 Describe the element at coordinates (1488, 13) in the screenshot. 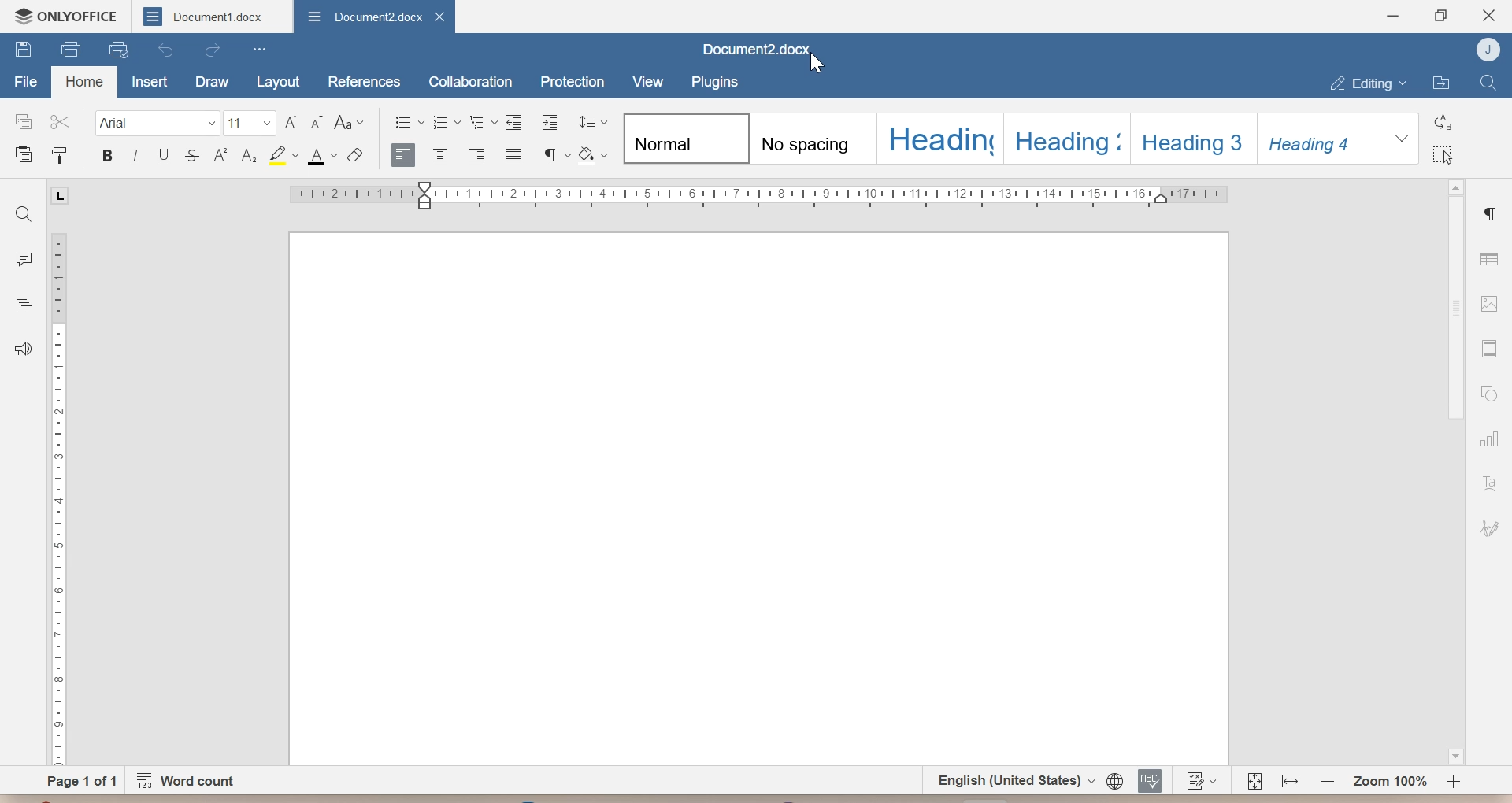

I see `Close` at that location.